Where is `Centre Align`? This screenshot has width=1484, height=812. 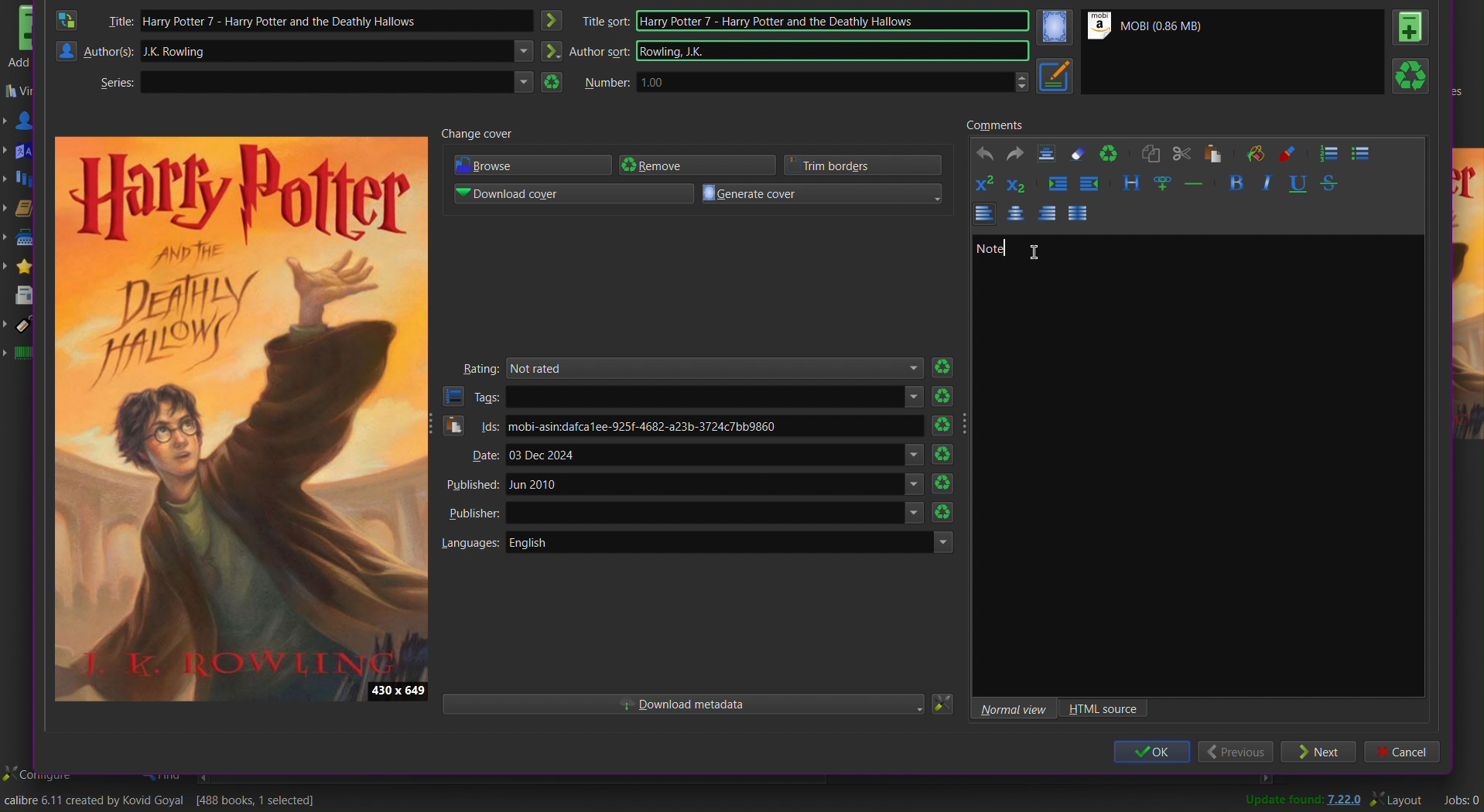
Centre Align is located at coordinates (1014, 214).